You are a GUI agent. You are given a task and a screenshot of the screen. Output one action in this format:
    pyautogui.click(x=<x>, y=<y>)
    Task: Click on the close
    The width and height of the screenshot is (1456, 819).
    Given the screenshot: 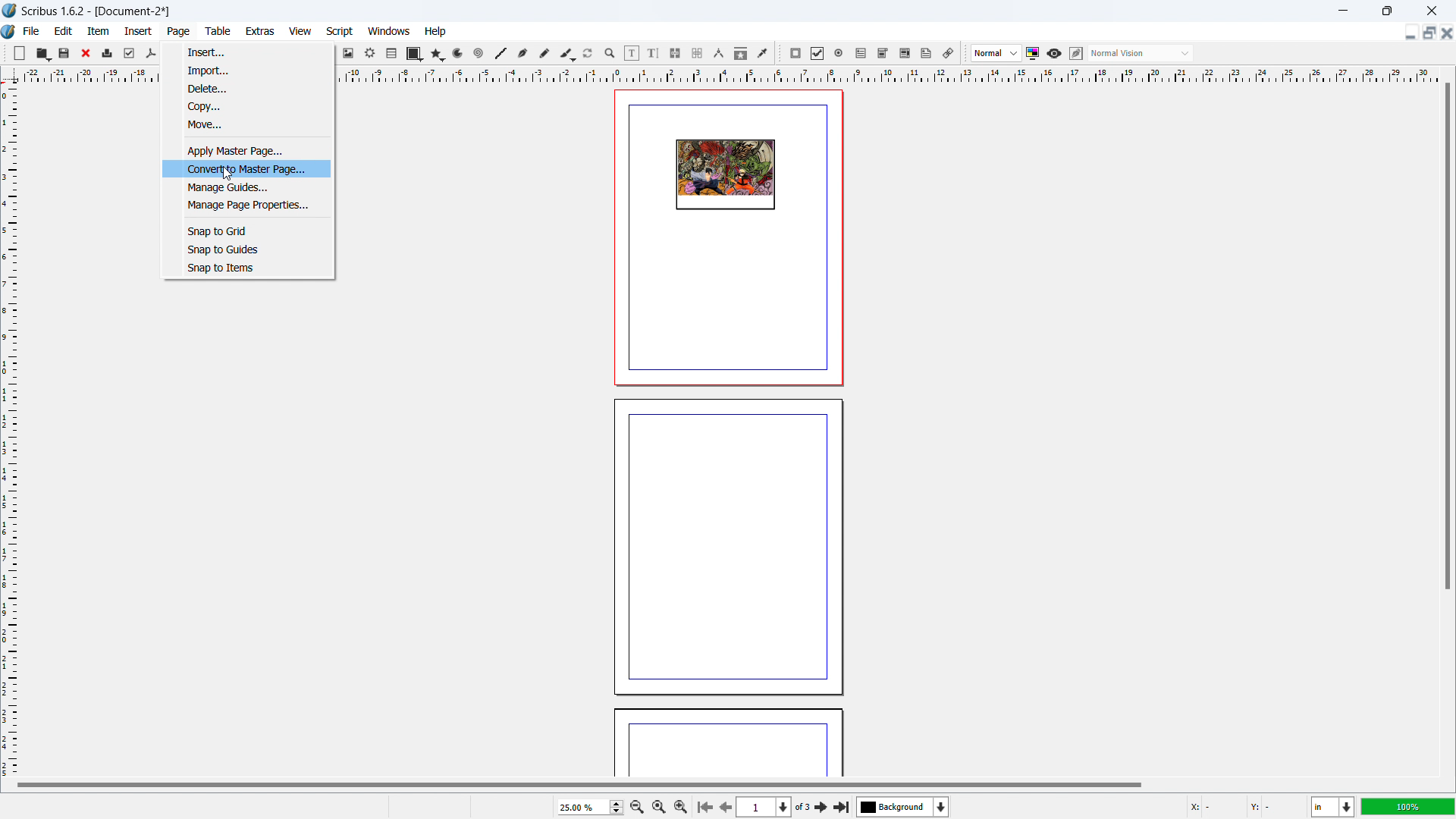 What is the action you would take?
    pyautogui.click(x=87, y=53)
    